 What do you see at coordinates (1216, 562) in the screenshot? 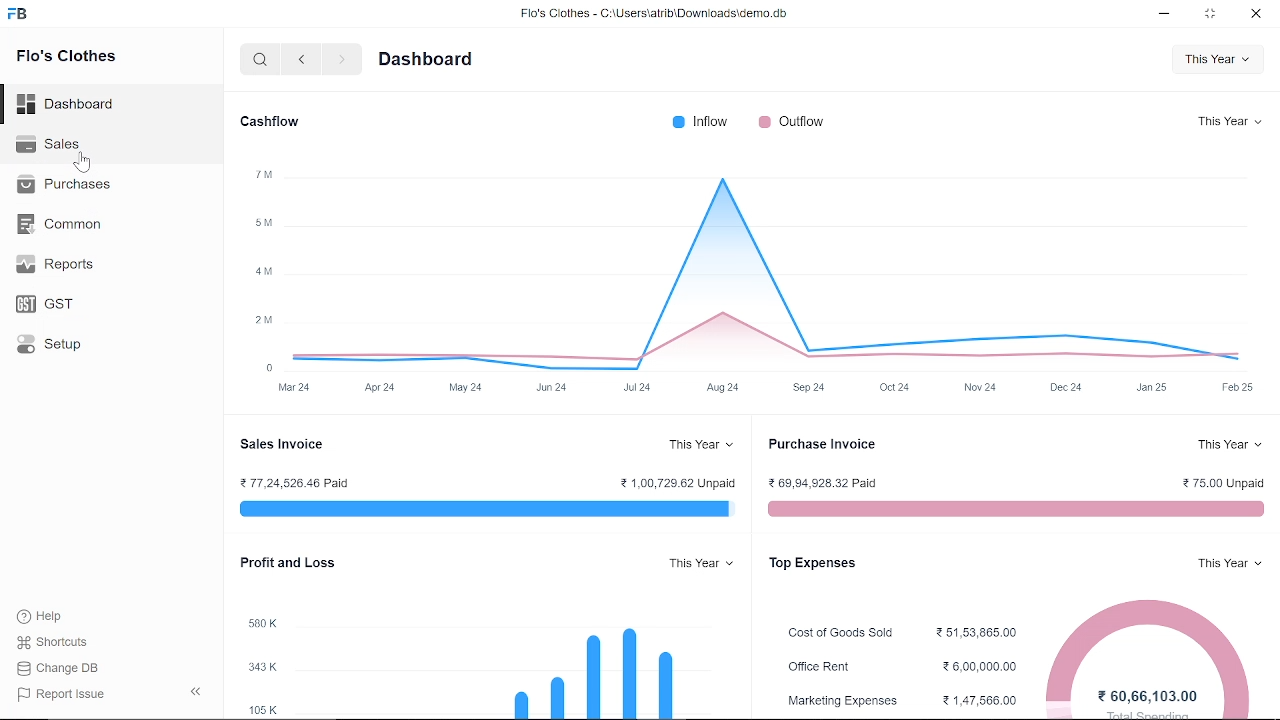
I see `This Year` at bounding box center [1216, 562].